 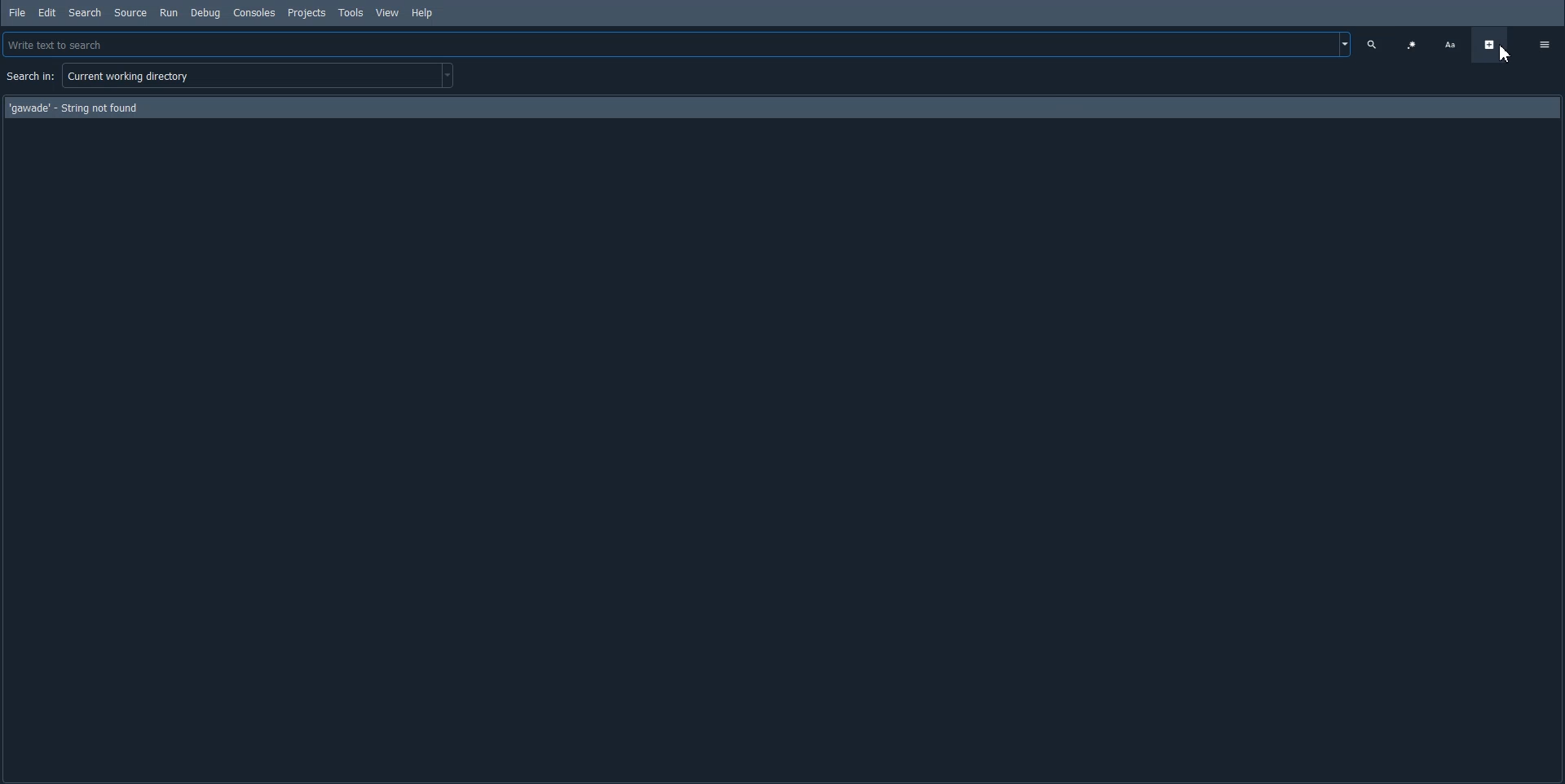 What do you see at coordinates (46, 11) in the screenshot?
I see `Edit` at bounding box center [46, 11].